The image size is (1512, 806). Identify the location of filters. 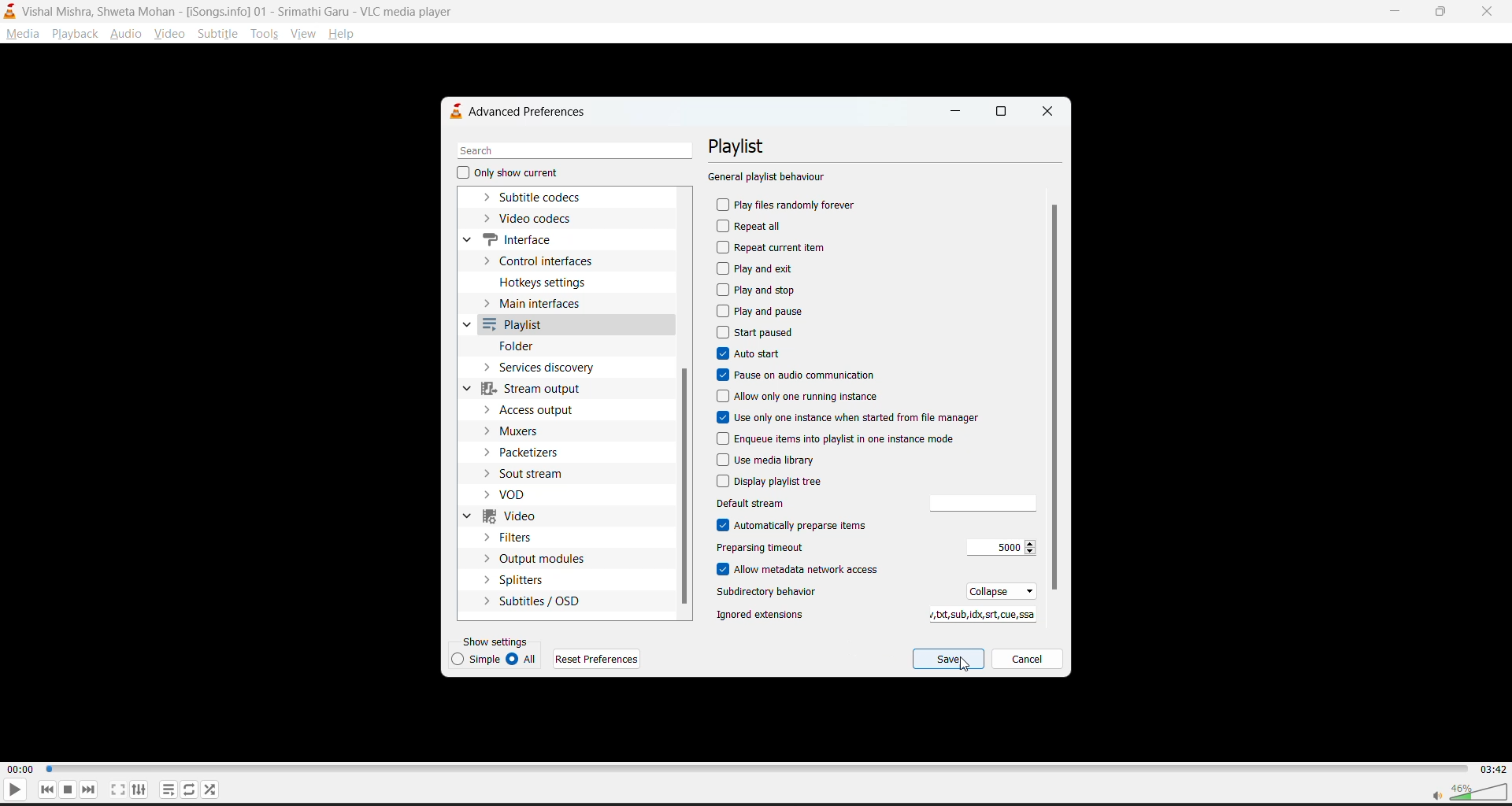
(514, 537).